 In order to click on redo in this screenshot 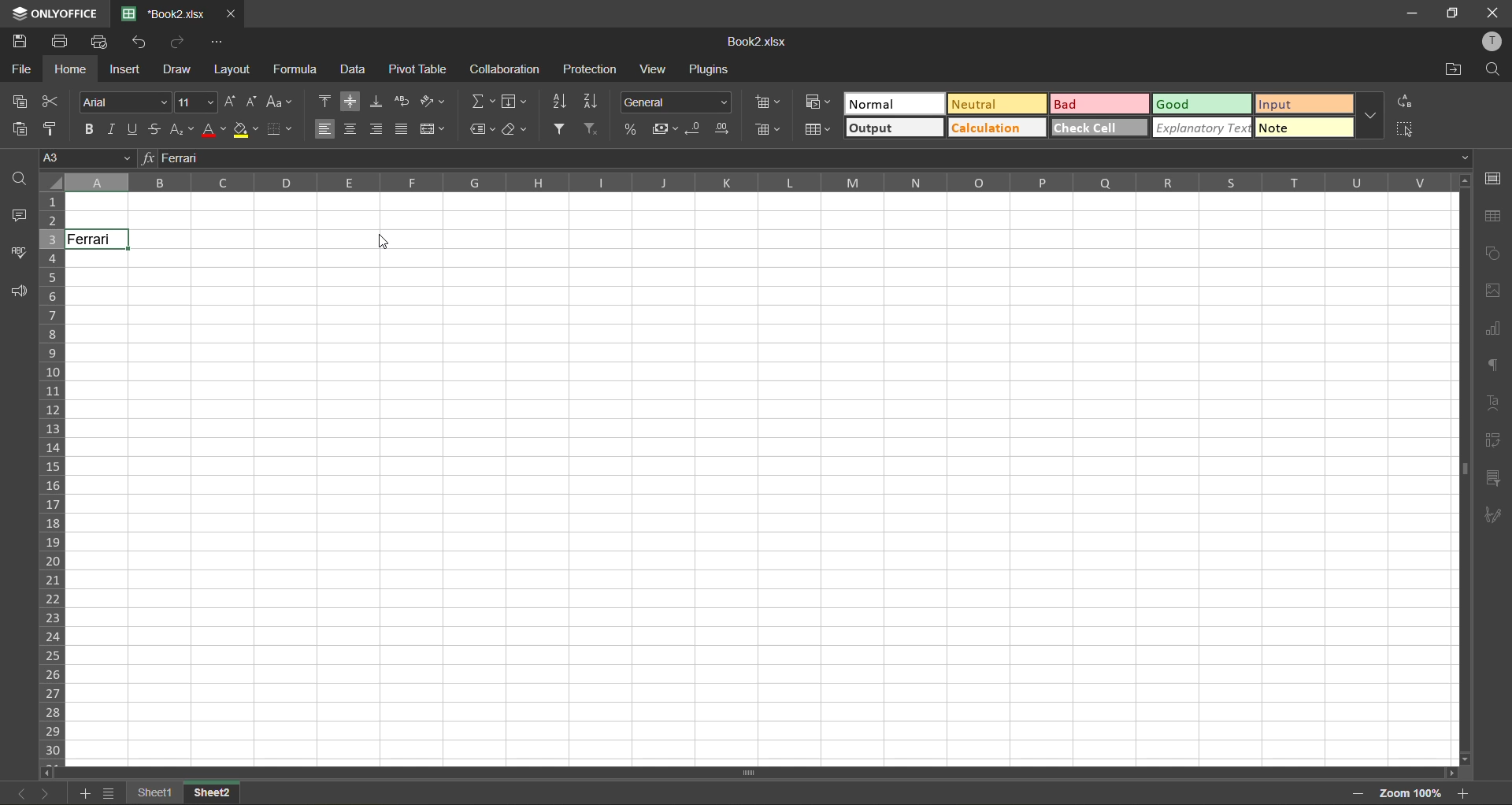, I will do `click(177, 41)`.